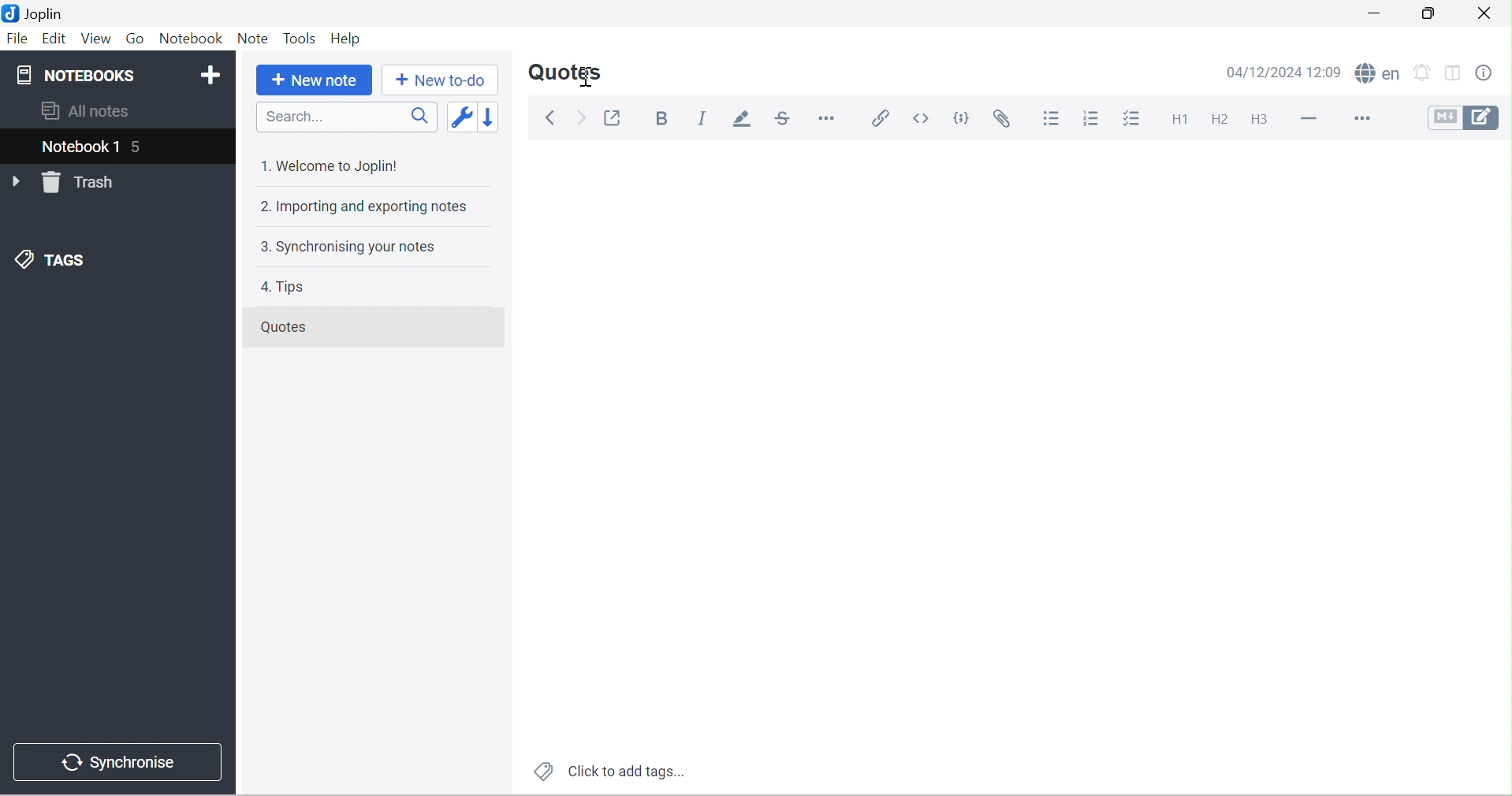 The height and width of the screenshot is (796, 1512). What do you see at coordinates (367, 205) in the screenshot?
I see `2. Importing and exporting notes` at bounding box center [367, 205].